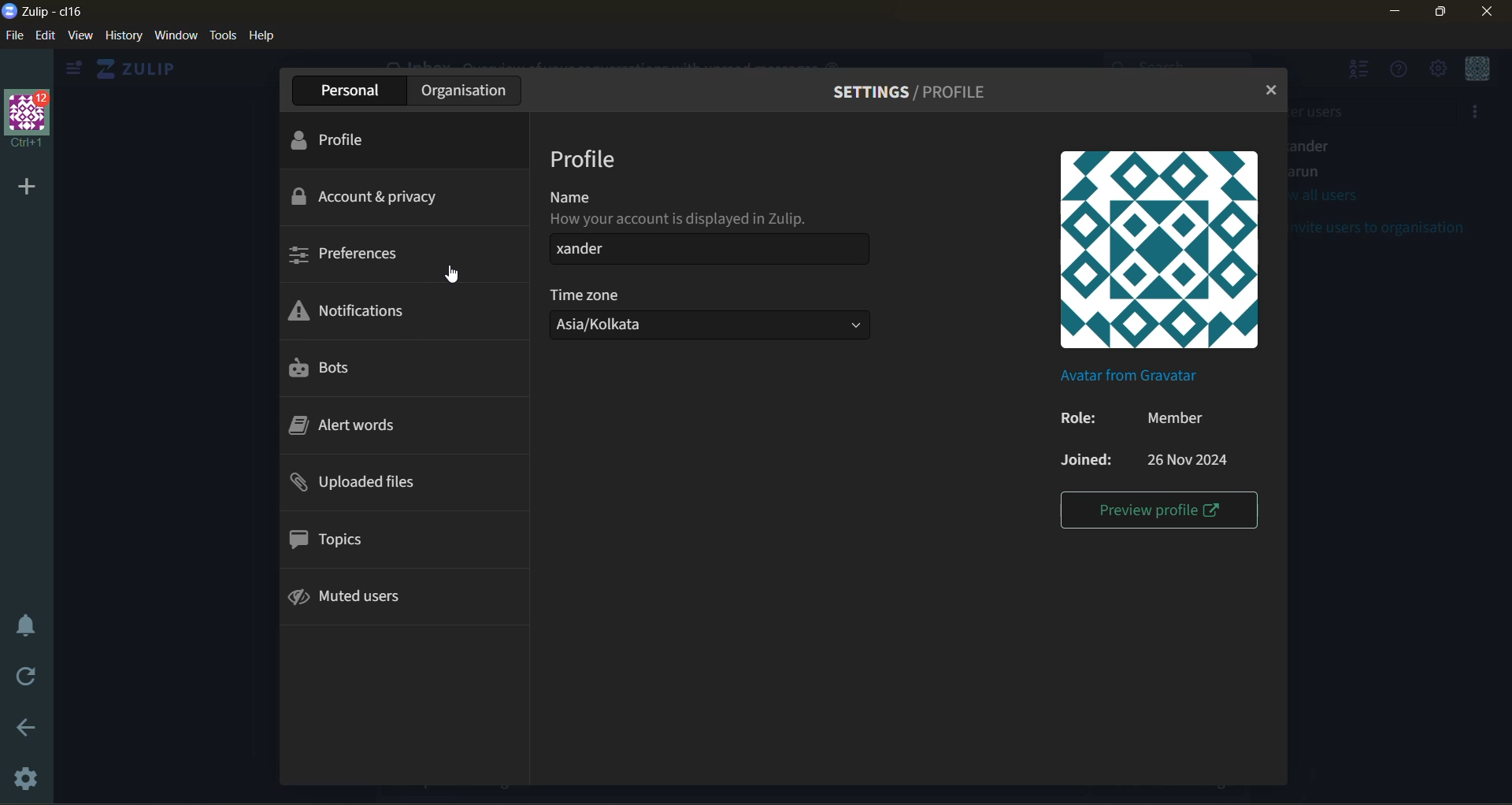 The height and width of the screenshot is (805, 1512). Describe the element at coordinates (1142, 378) in the screenshot. I see `avatar from gravatar` at that location.